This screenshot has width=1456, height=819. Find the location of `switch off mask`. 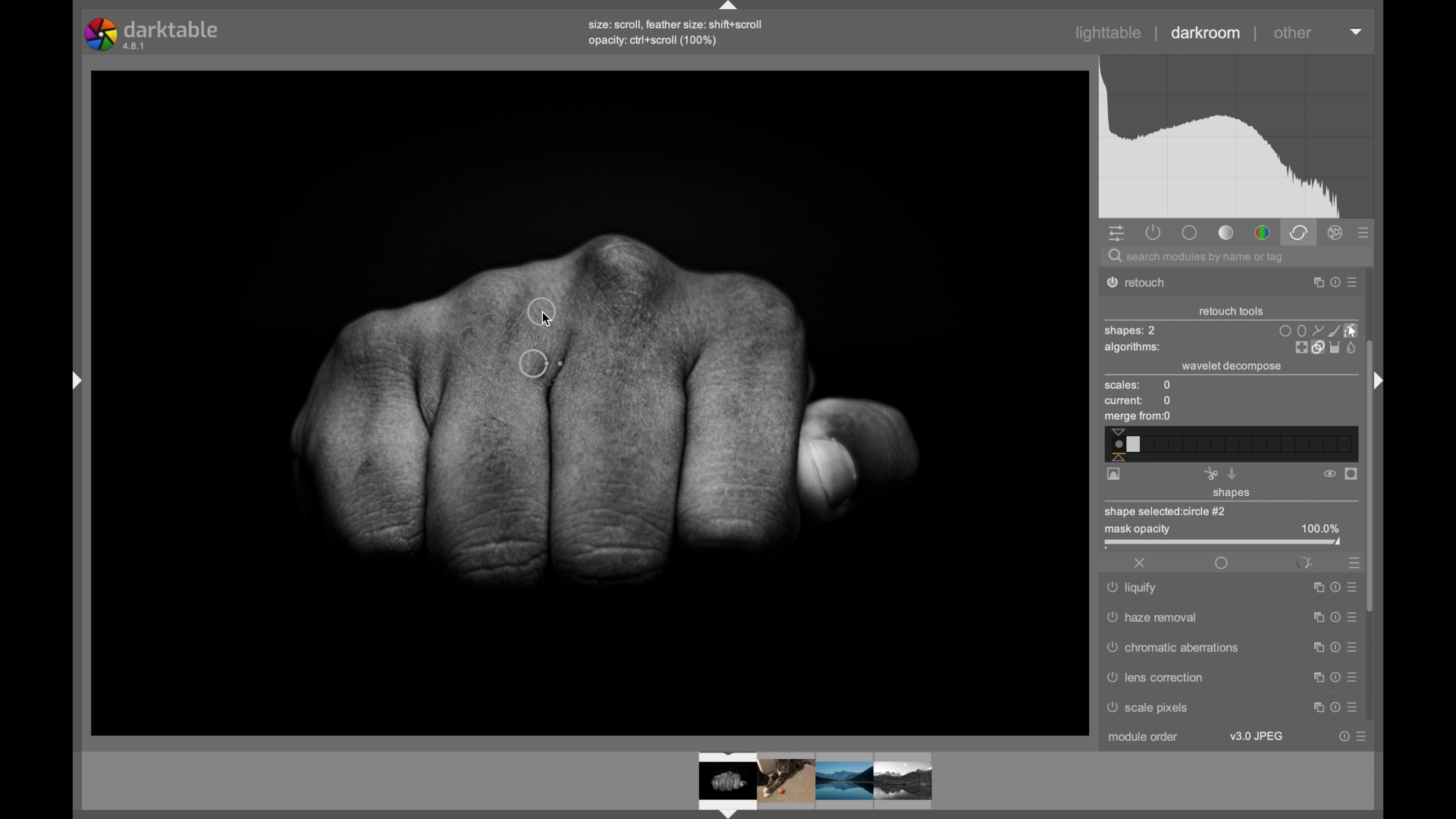

switch off mask is located at coordinates (1329, 474).